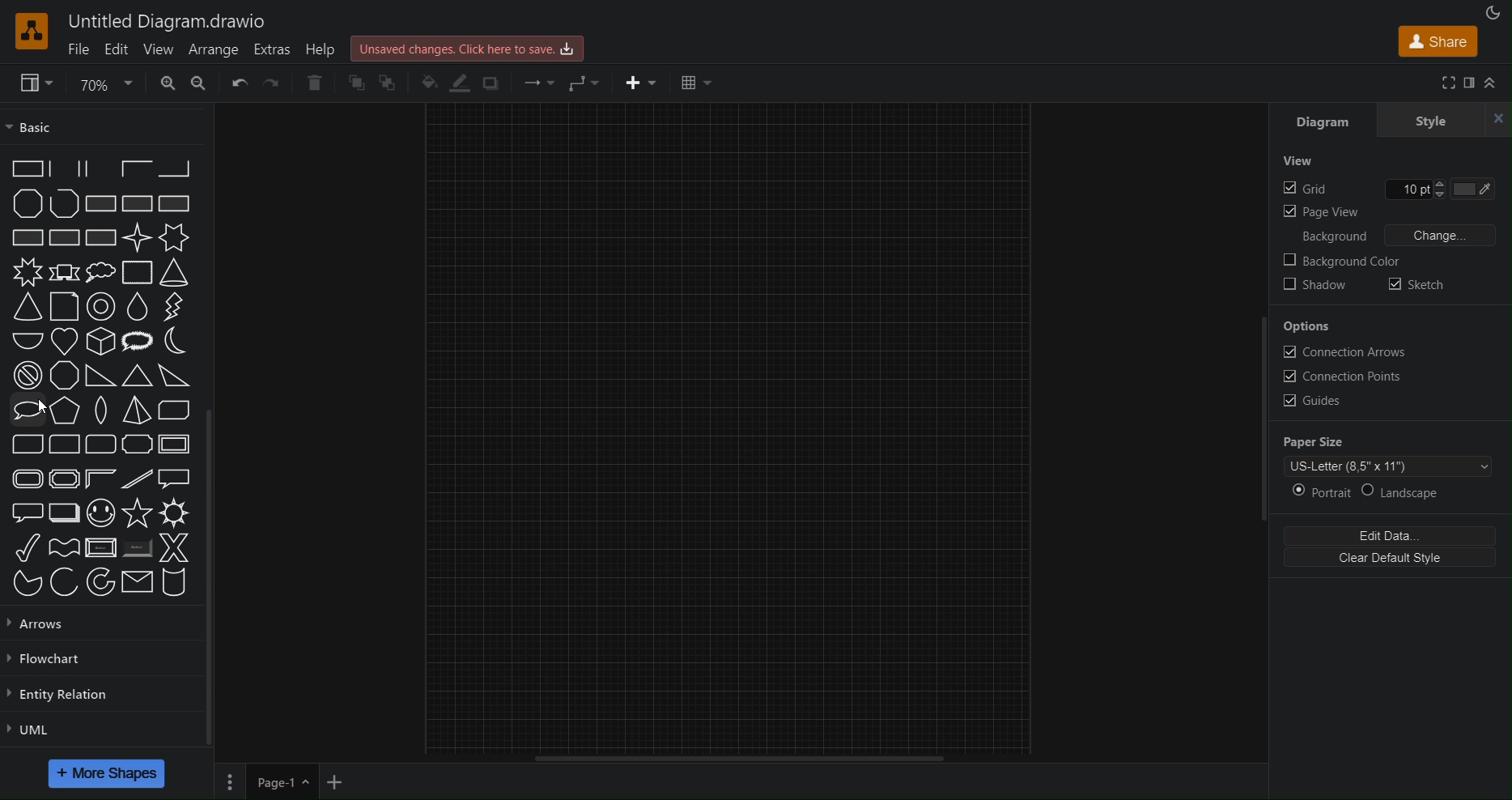  What do you see at coordinates (168, 85) in the screenshot?
I see `Zoom In` at bounding box center [168, 85].